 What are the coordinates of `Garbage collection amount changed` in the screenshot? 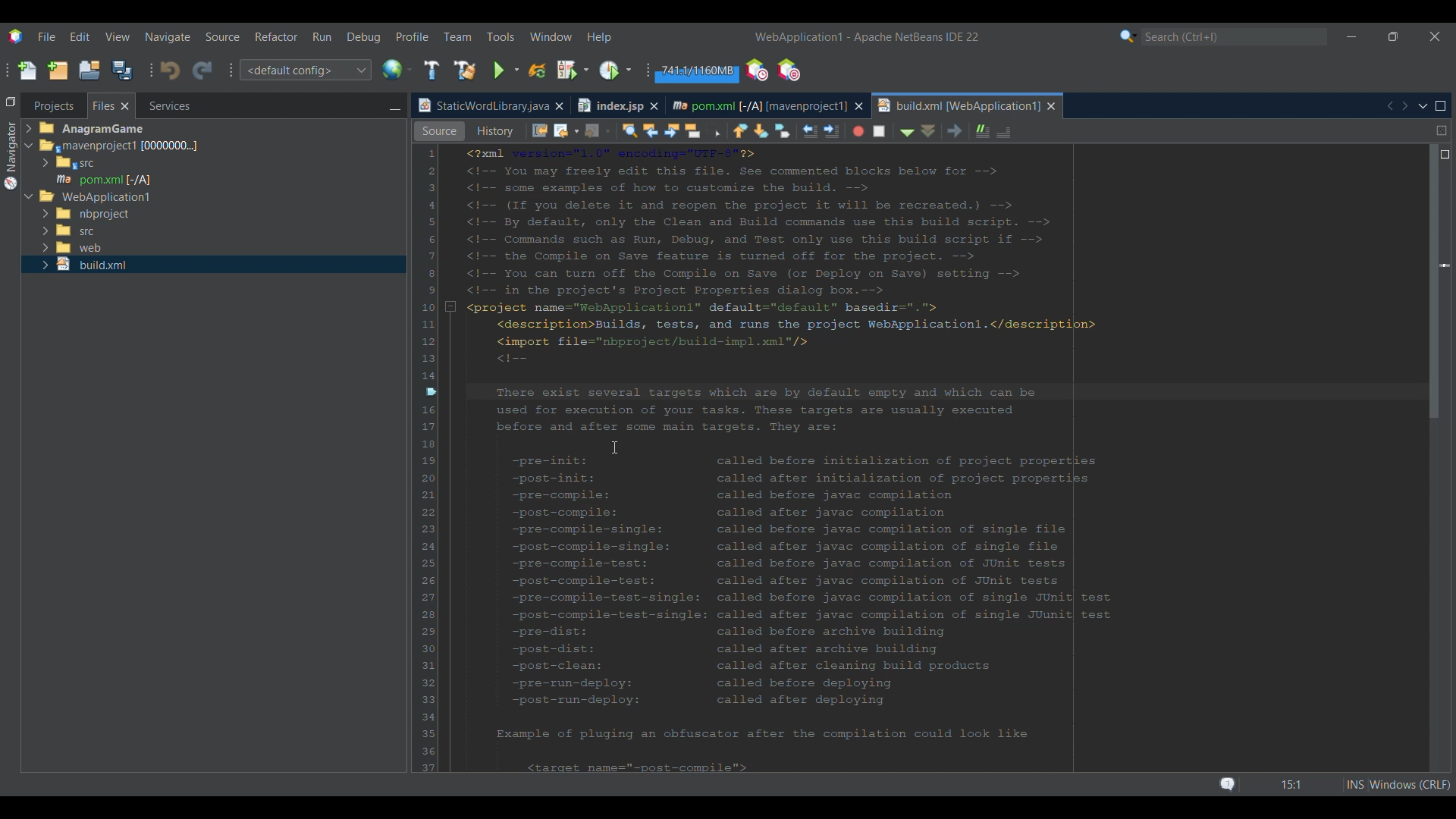 It's located at (697, 73).